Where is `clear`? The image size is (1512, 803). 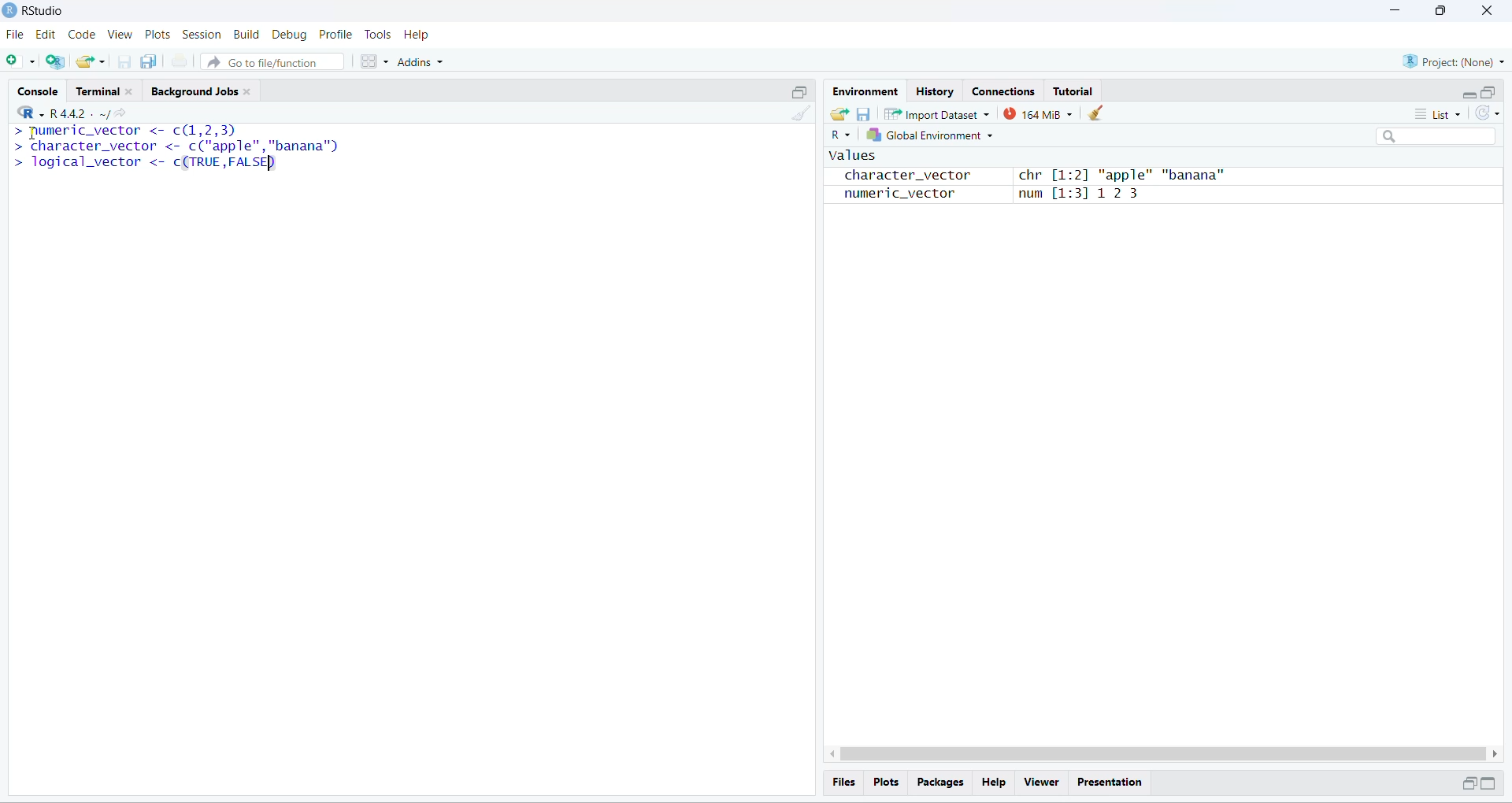 clear is located at coordinates (1098, 113).